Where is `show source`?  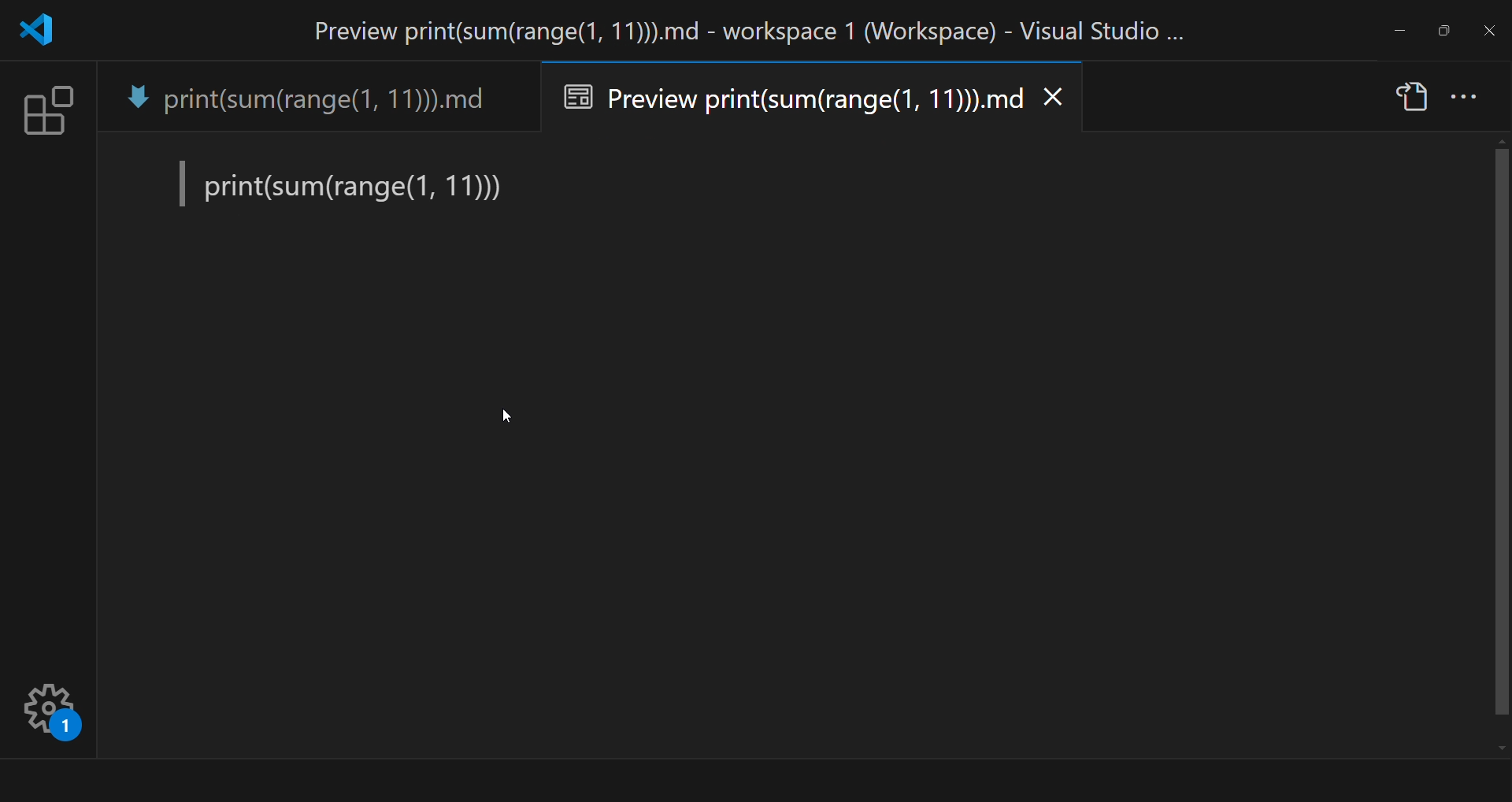
show source is located at coordinates (1410, 99).